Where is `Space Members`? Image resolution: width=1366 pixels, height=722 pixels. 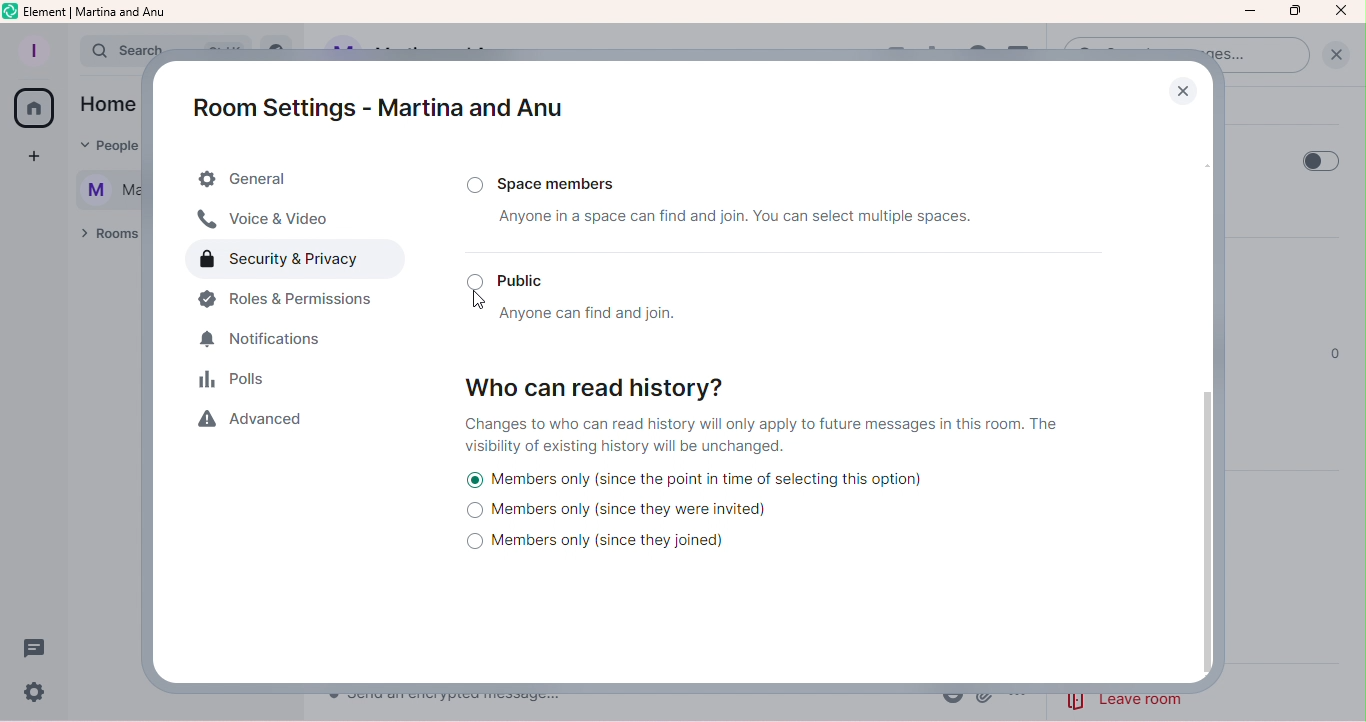 Space Members is located at coordinates (553, 180).